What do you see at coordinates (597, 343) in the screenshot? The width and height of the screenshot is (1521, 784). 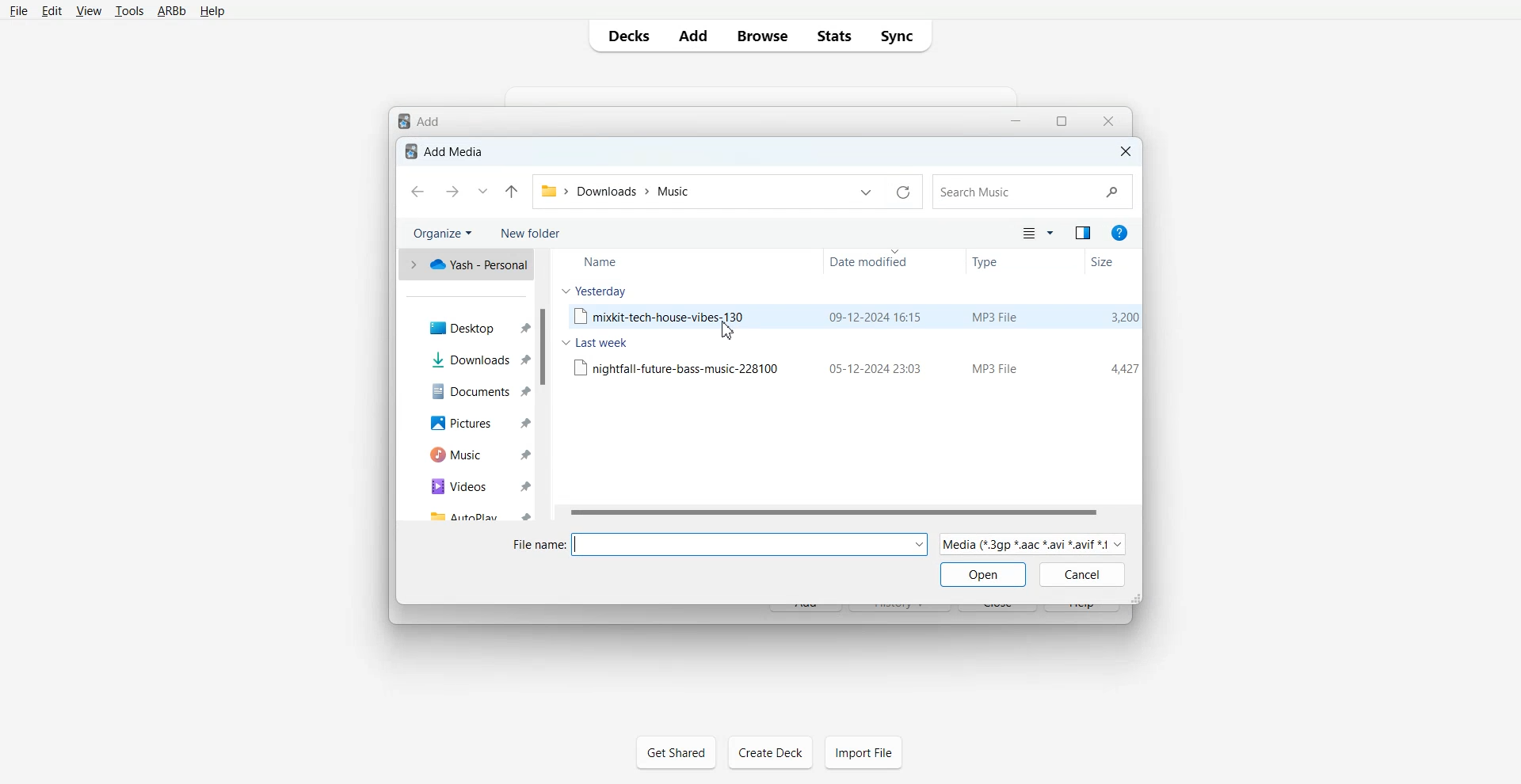 I see `Last week` at bounding box center [597, 343].